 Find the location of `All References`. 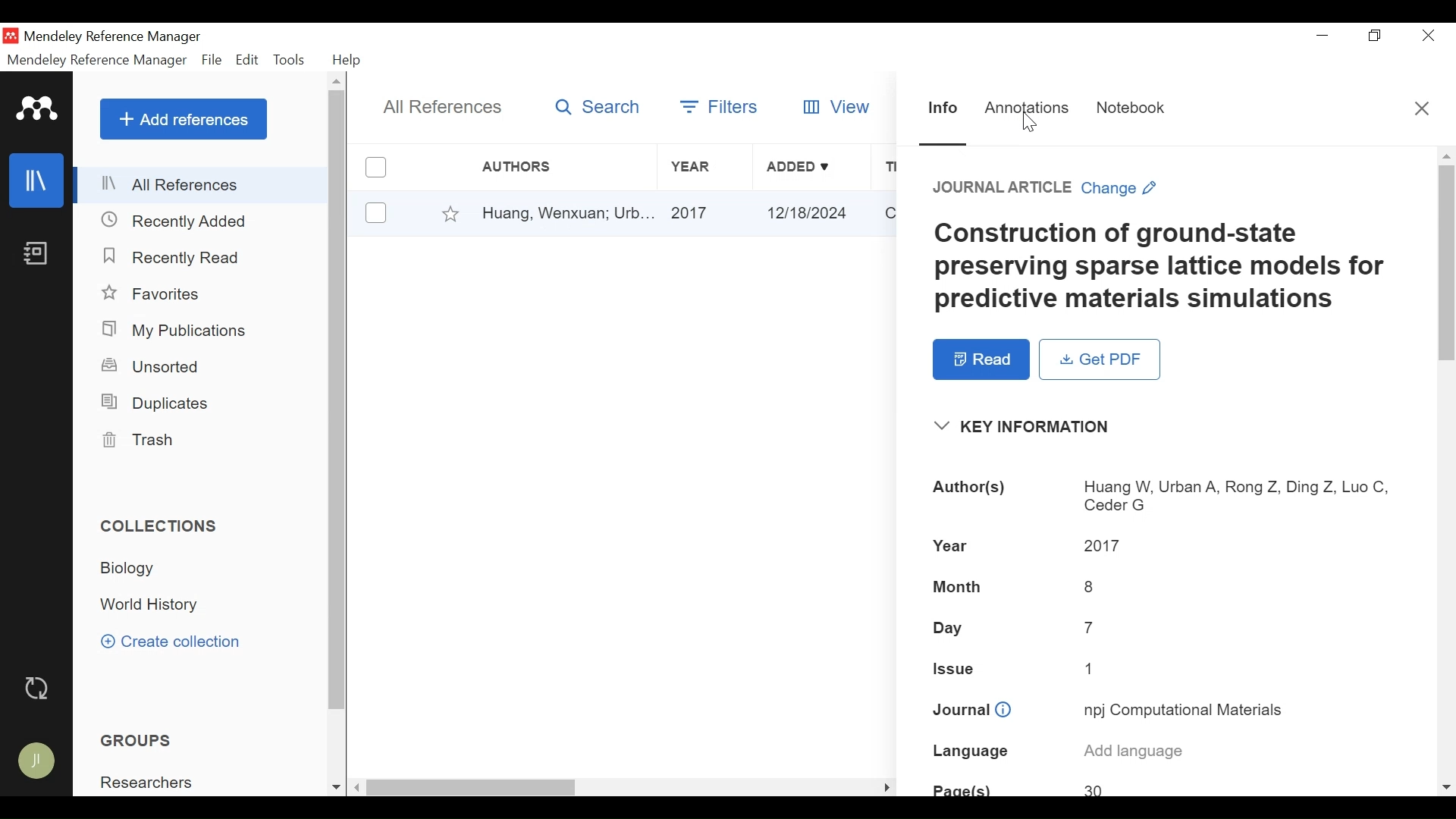

All References is located at coordinates (203, 184).